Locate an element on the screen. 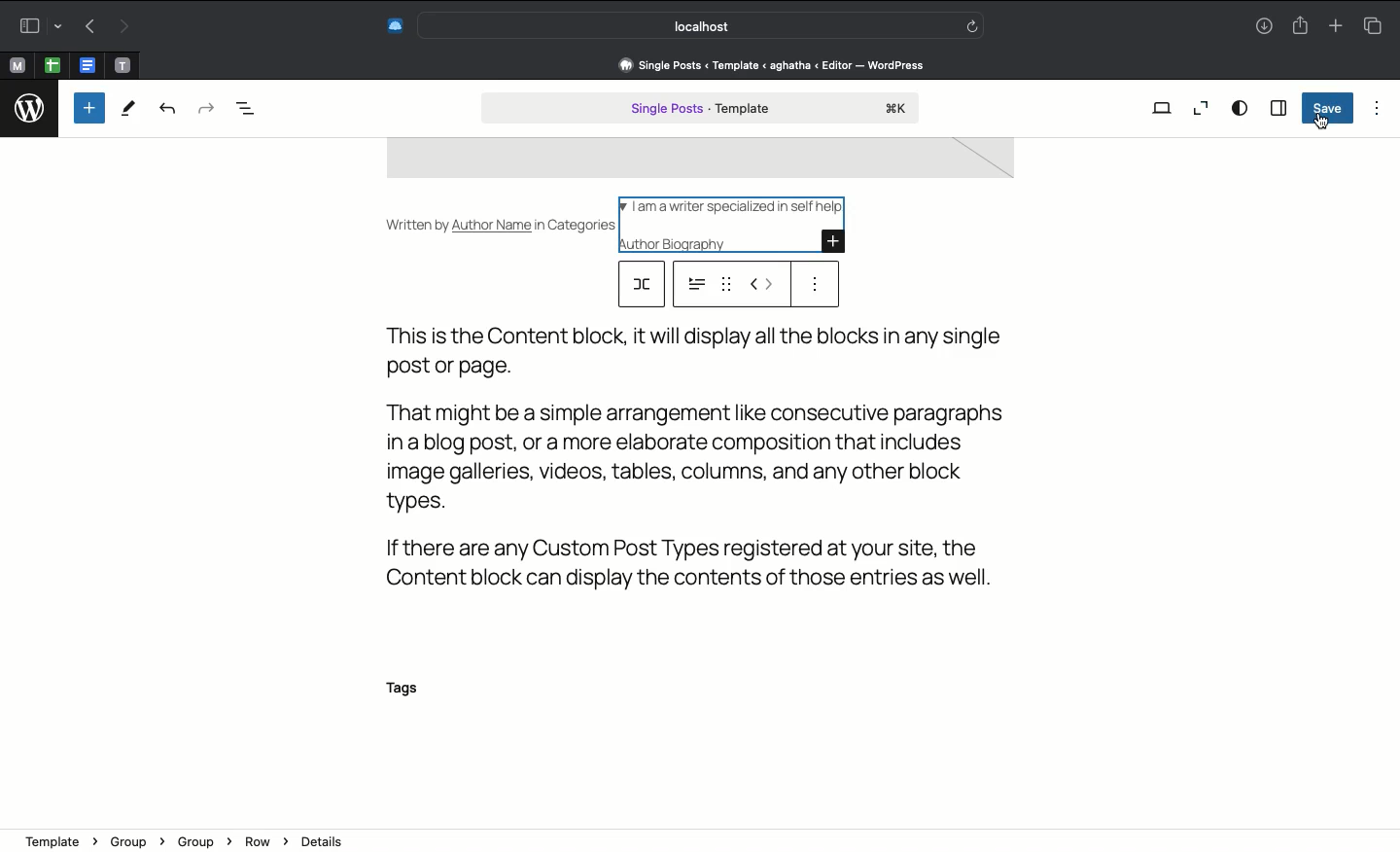  Sidebar is located at coordinates (1277, 109).